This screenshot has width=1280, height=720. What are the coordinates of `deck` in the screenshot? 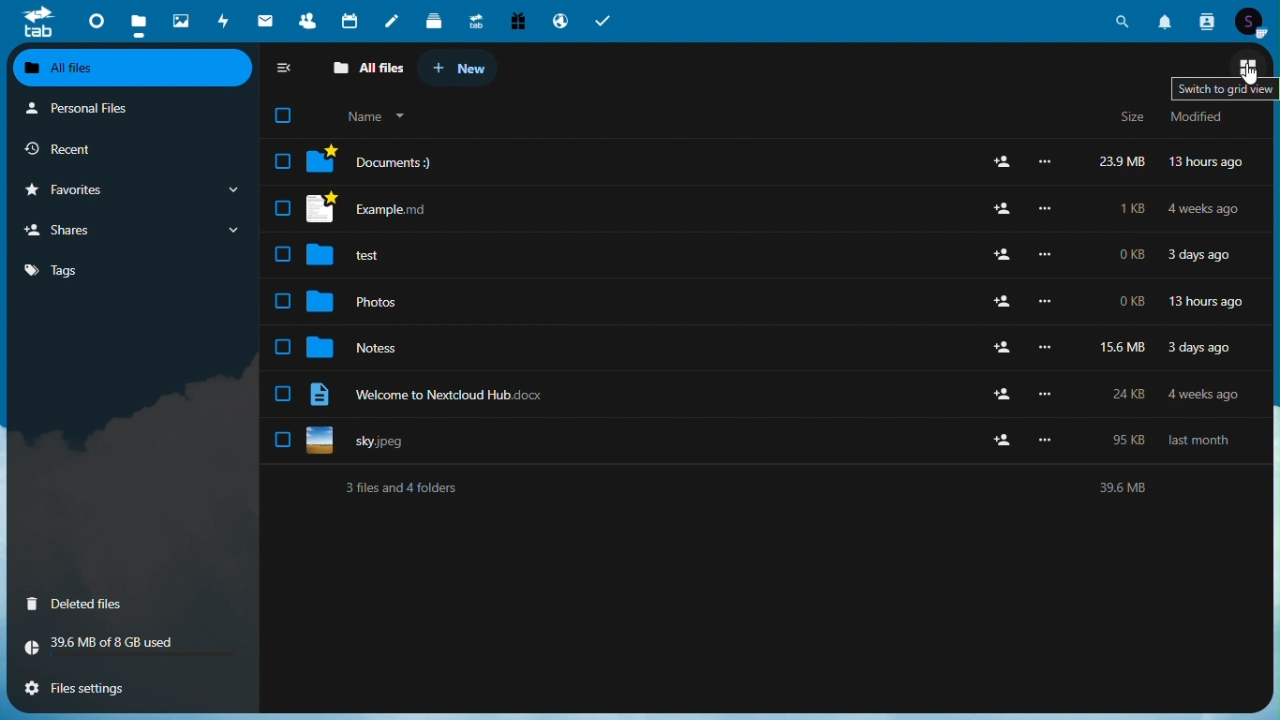 It's located at (431, 20).